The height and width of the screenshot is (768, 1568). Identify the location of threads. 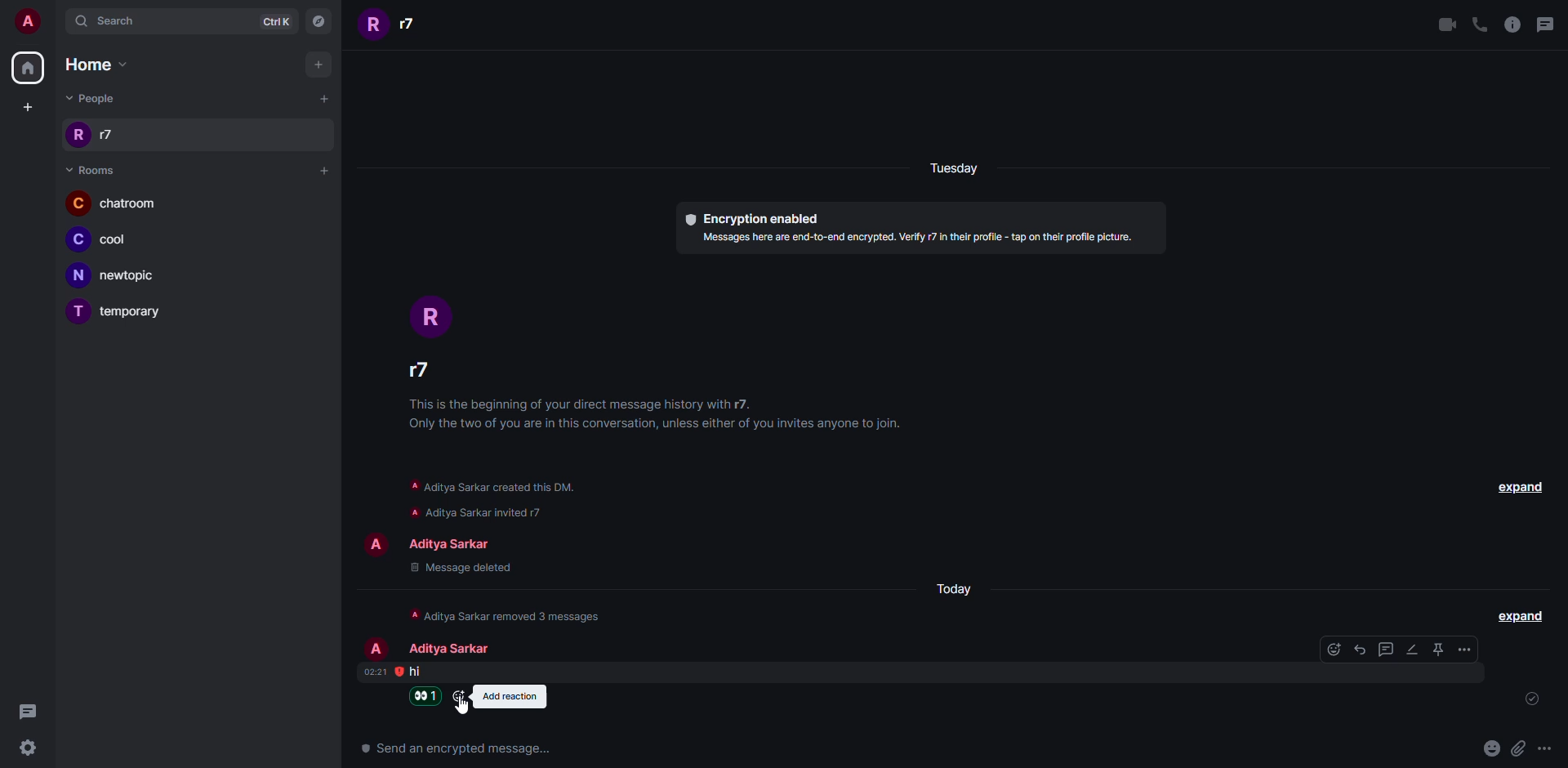
(1549, 23).